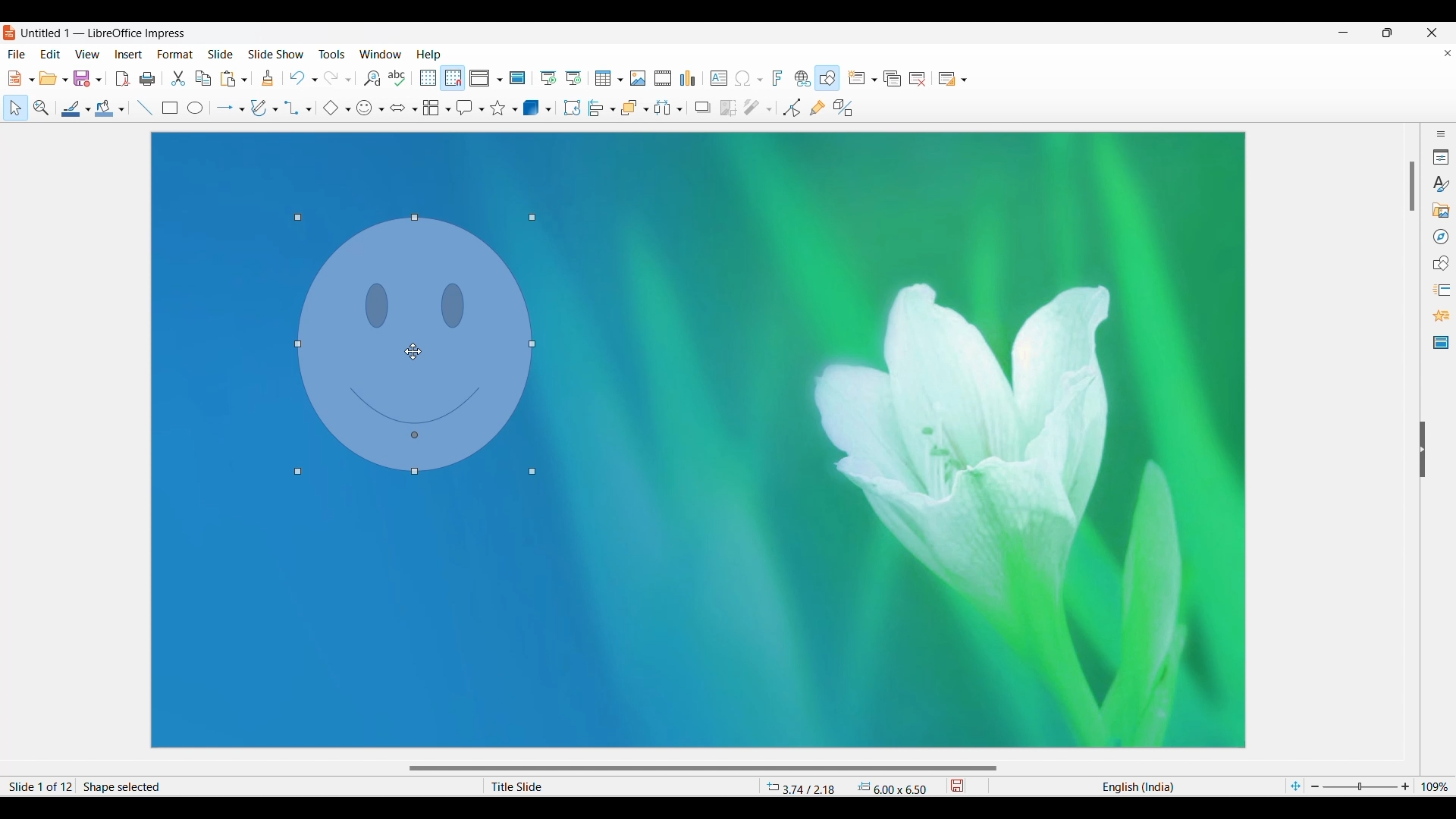  What do you see at coordinates (679, 109) in the screenshot?
I see `Select objects to distribute options` at bounding box center [679, 109].